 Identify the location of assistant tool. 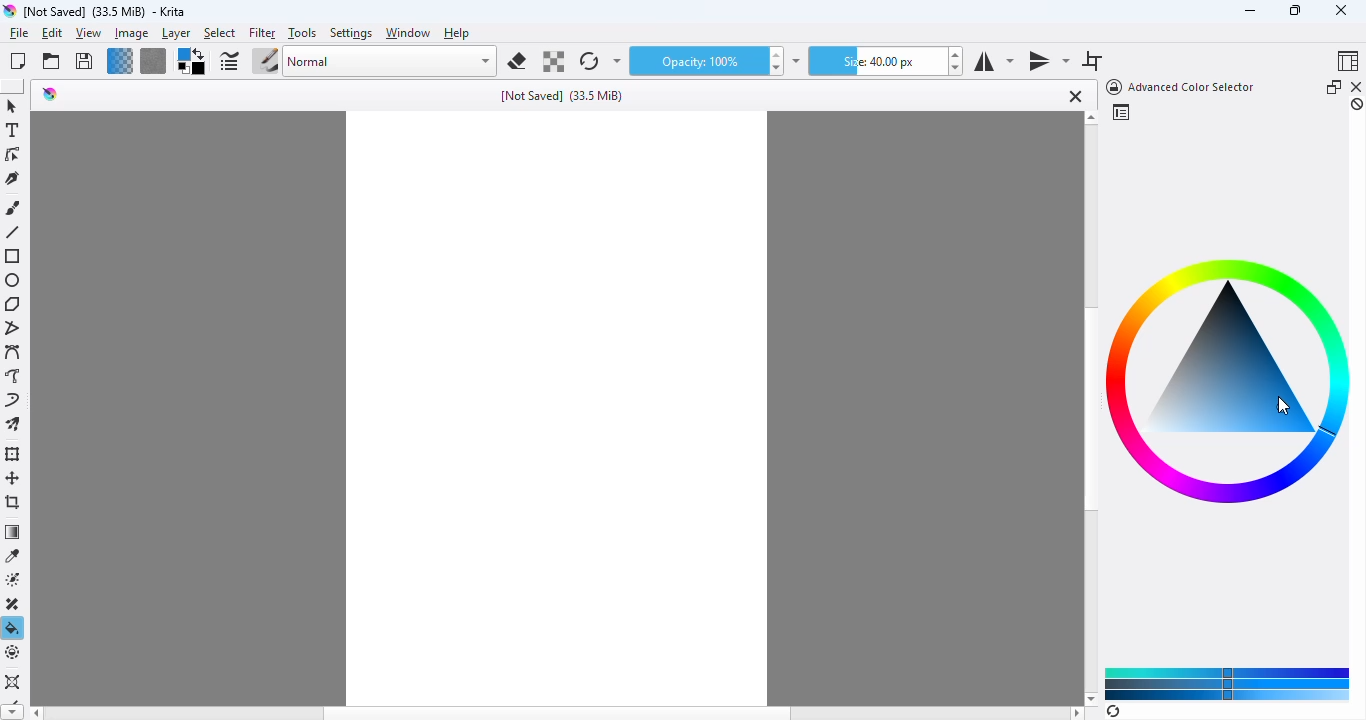
(12, 681).